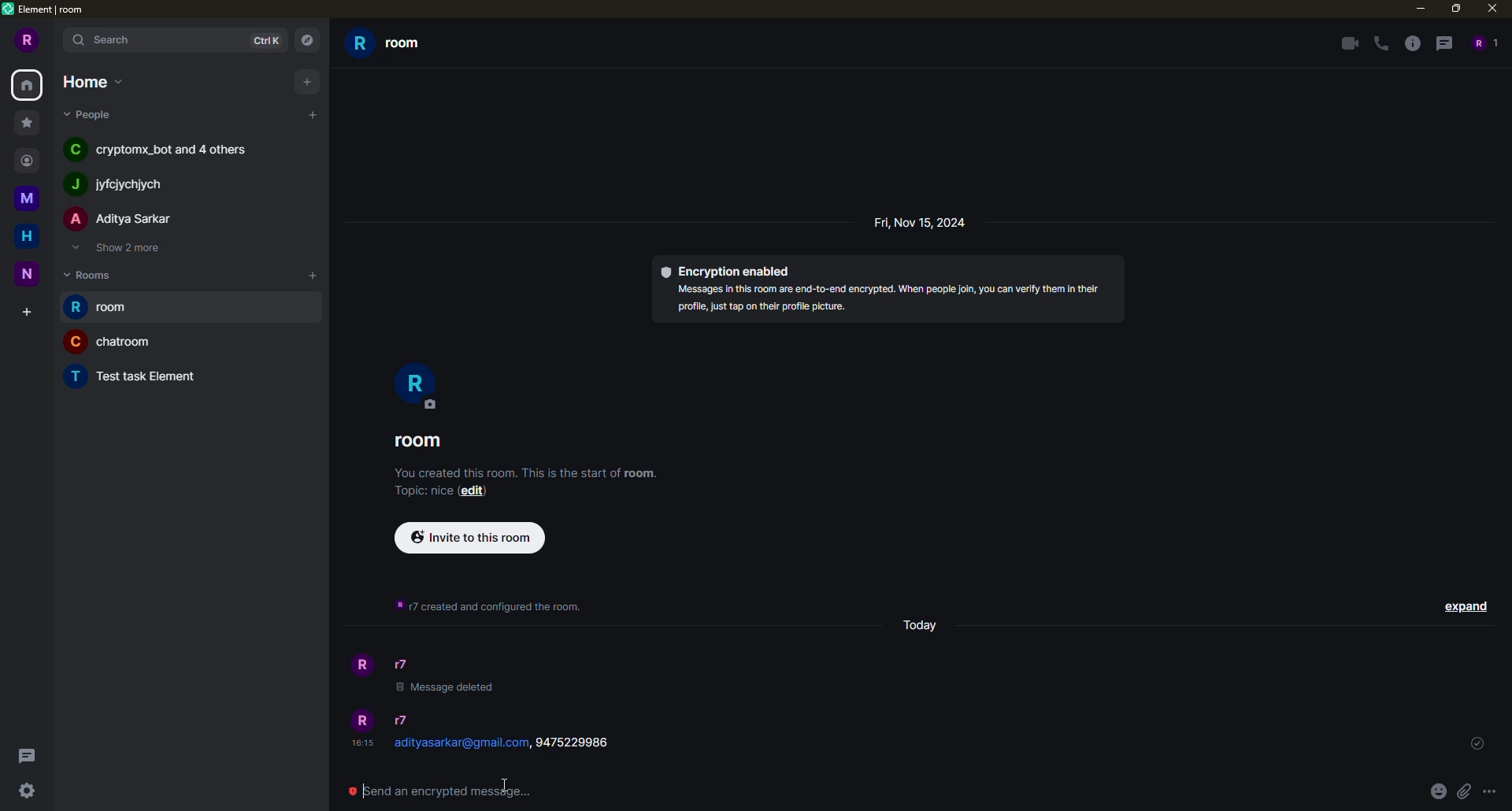  I want to click on favorite, so click(25, 121).